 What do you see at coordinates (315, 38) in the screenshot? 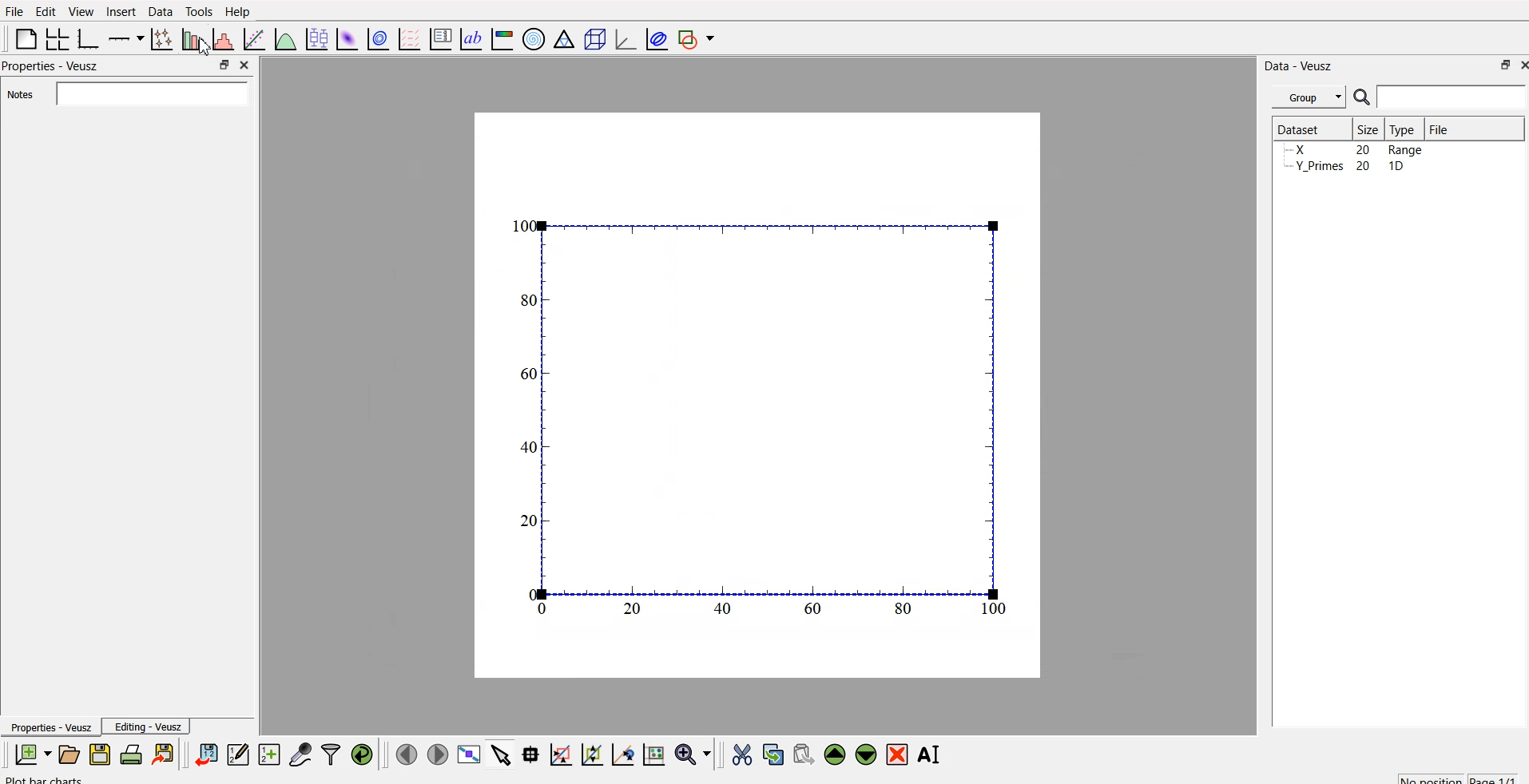
I see `plot box plots` at bounding box center [315, 38].